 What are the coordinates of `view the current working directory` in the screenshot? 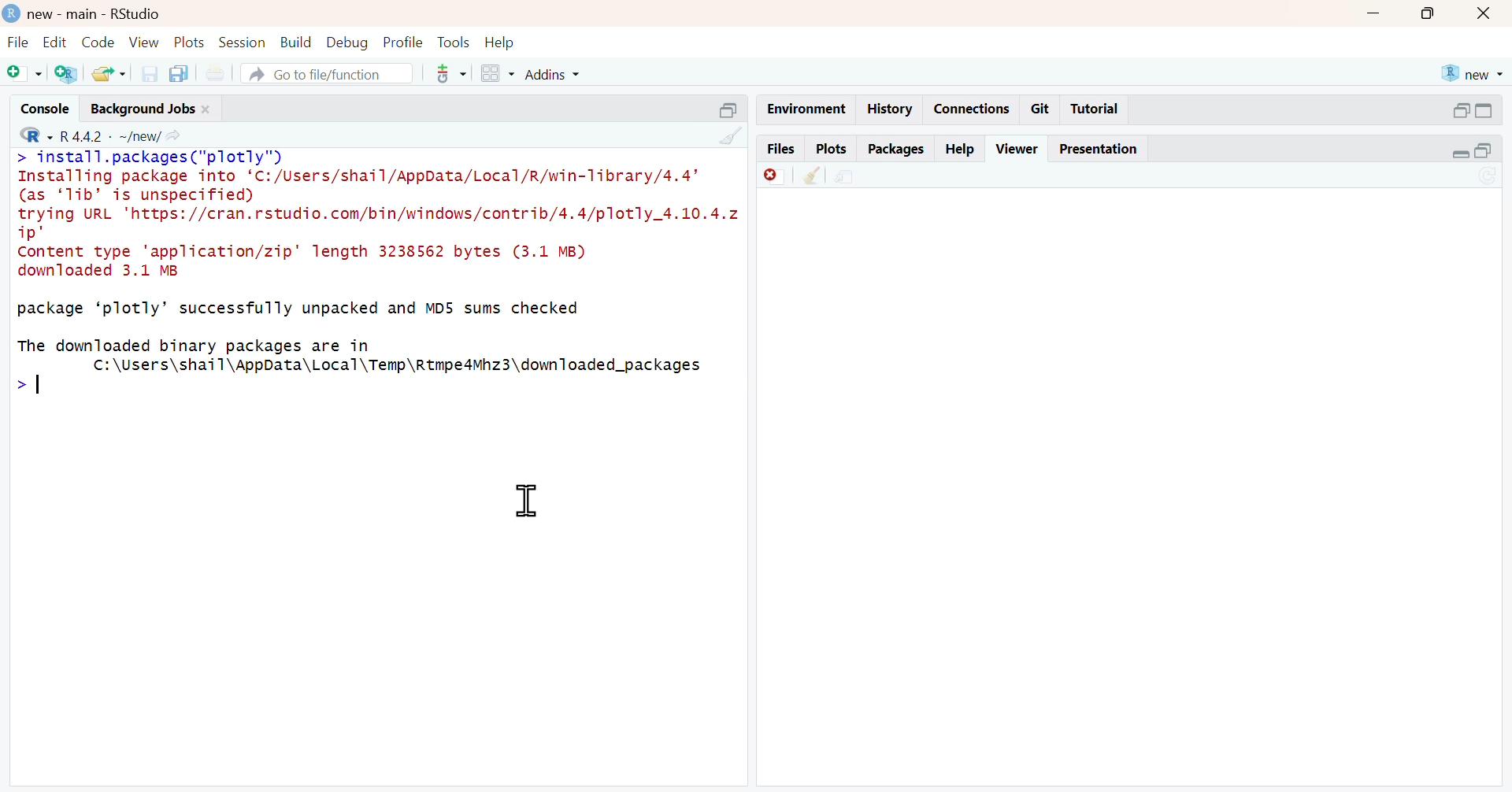 It's located at (178, 135).